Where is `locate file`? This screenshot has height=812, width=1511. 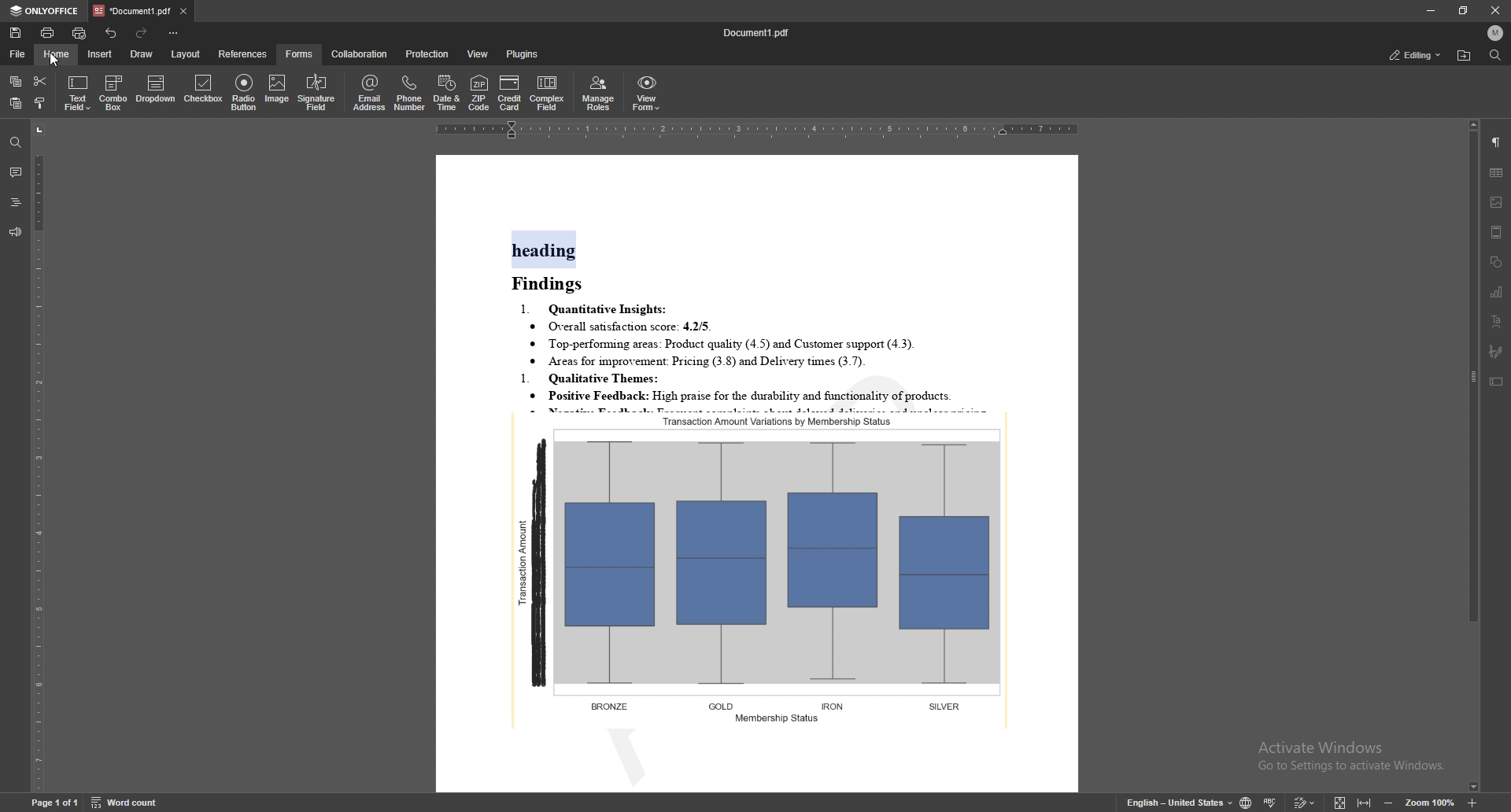 locate file is located at coordinates (1464, 57).